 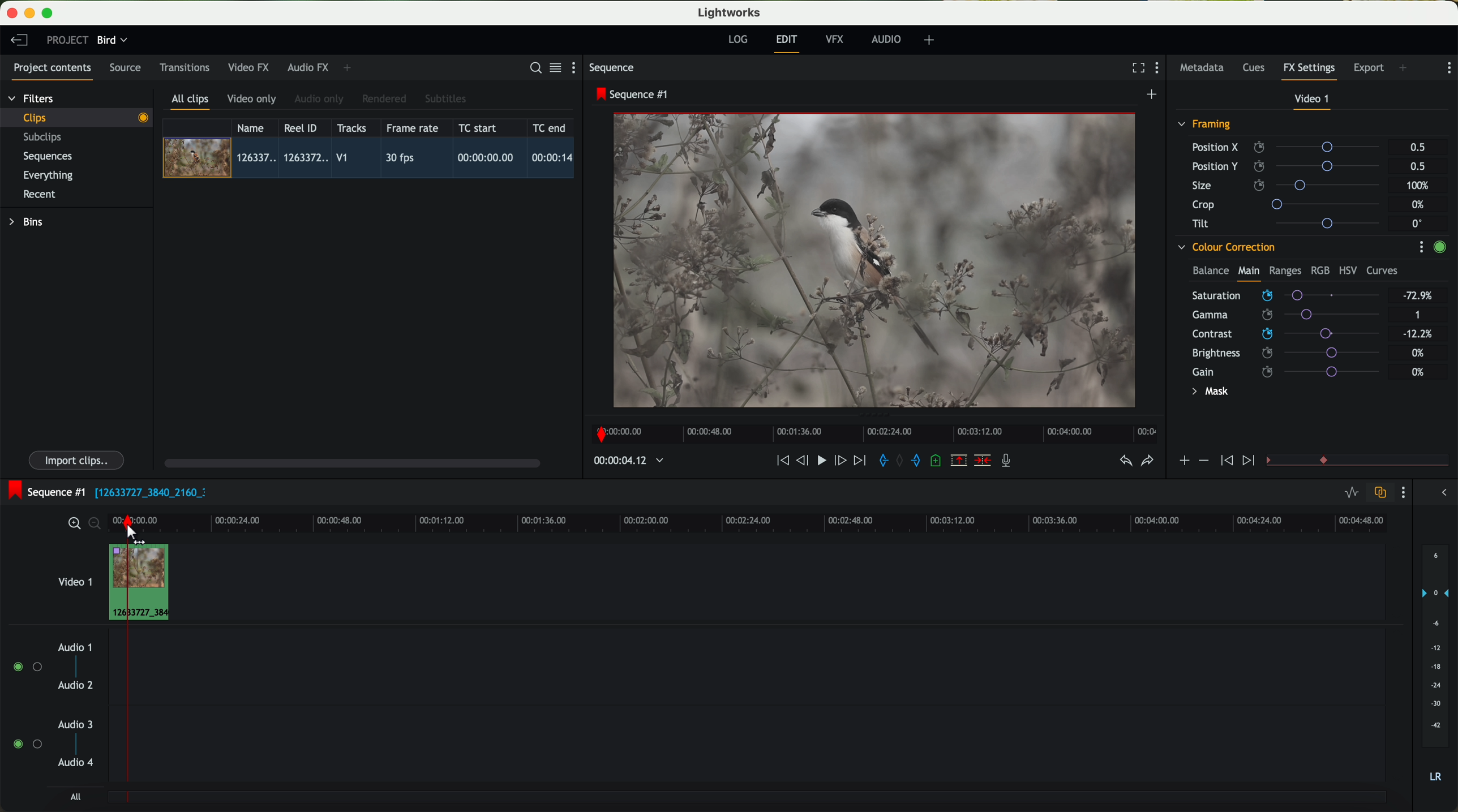 What do you see at coordinates (12, 13) in the screenshot?
I see `close program` at bounding box center [12, 13].